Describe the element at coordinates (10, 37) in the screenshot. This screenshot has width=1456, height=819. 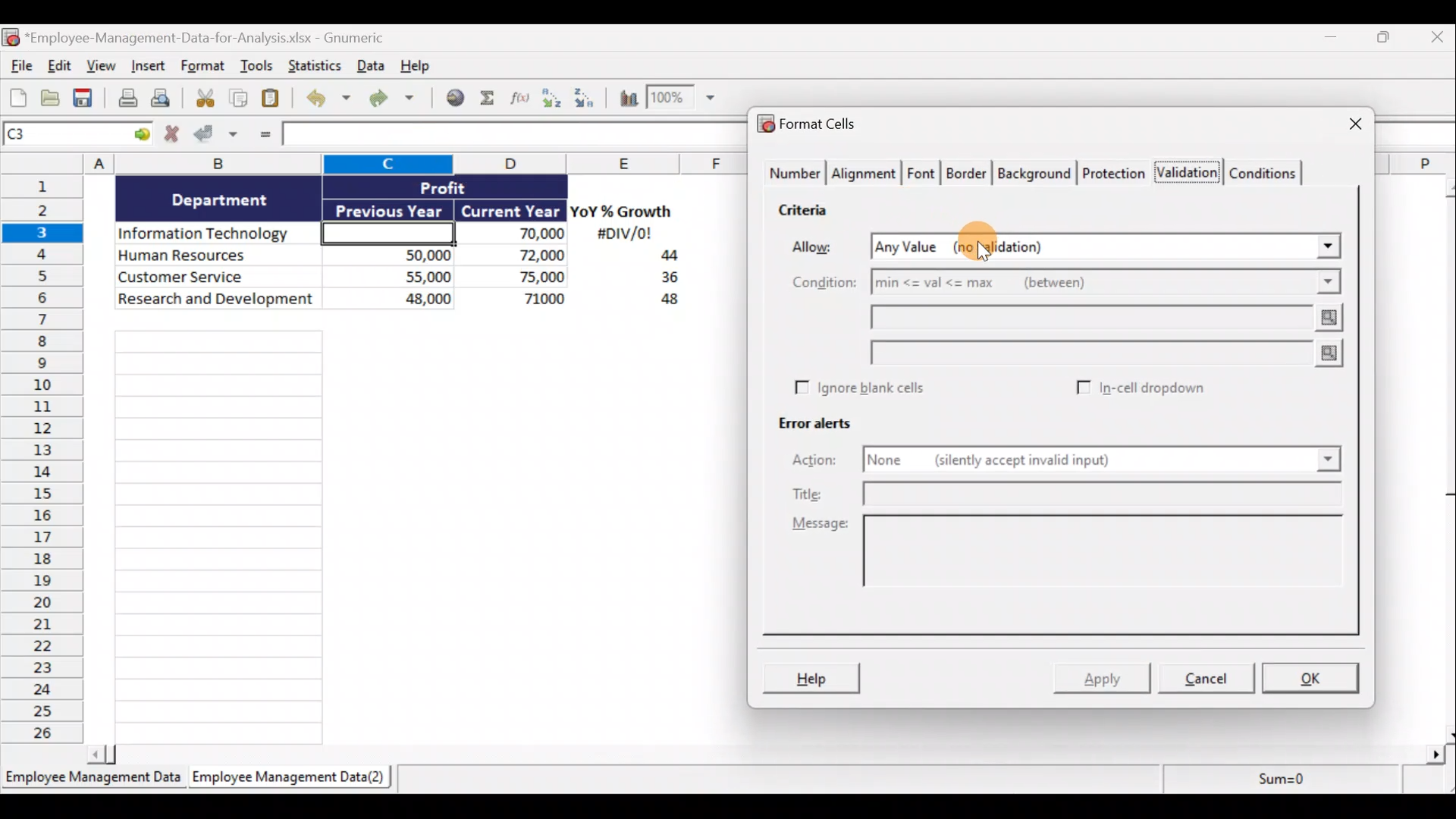
I see `Gnumeric logo` at that location.